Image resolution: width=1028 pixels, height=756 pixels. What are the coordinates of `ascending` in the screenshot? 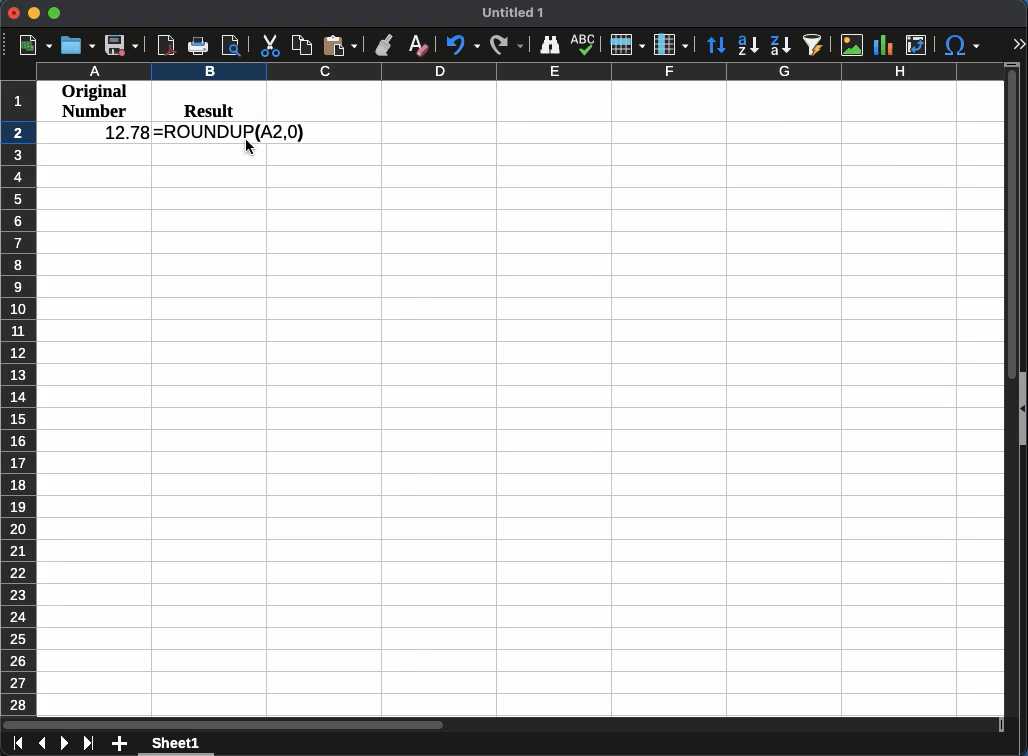 It's located at (748, 45).